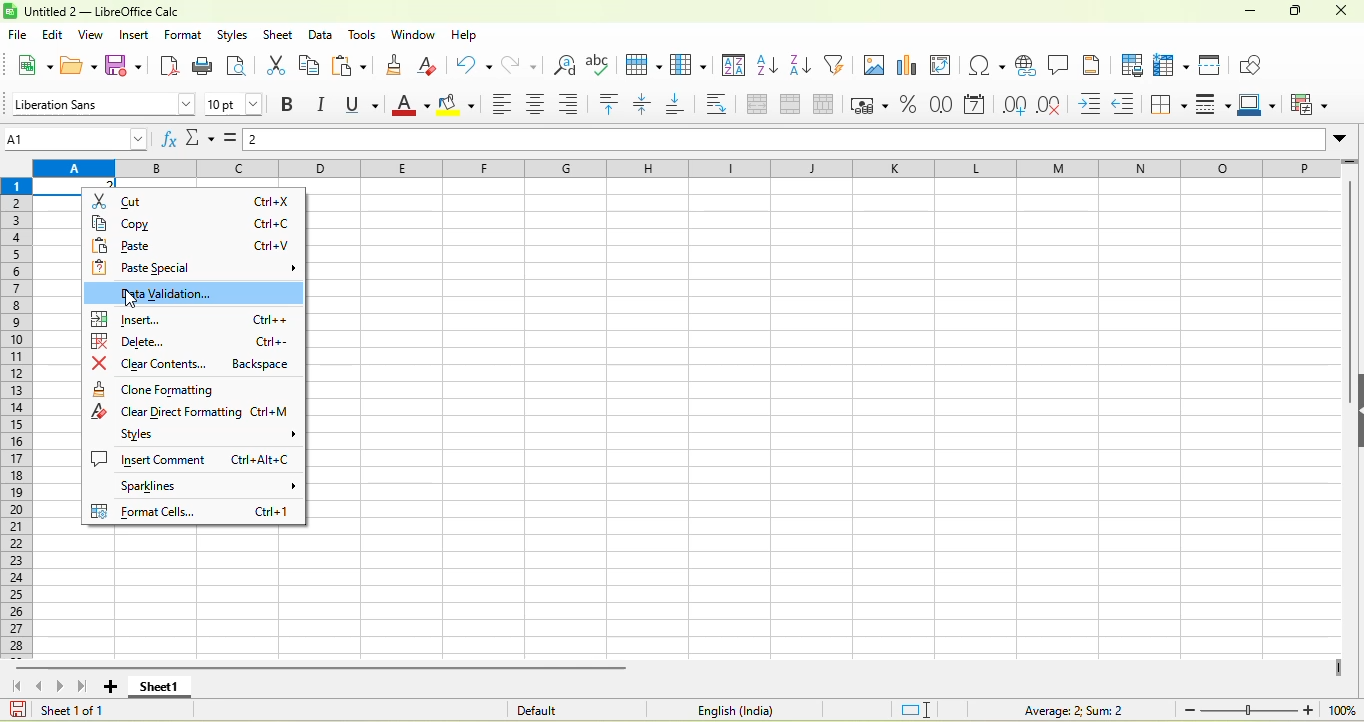  I want to click on conditional, so click(1312, 104).